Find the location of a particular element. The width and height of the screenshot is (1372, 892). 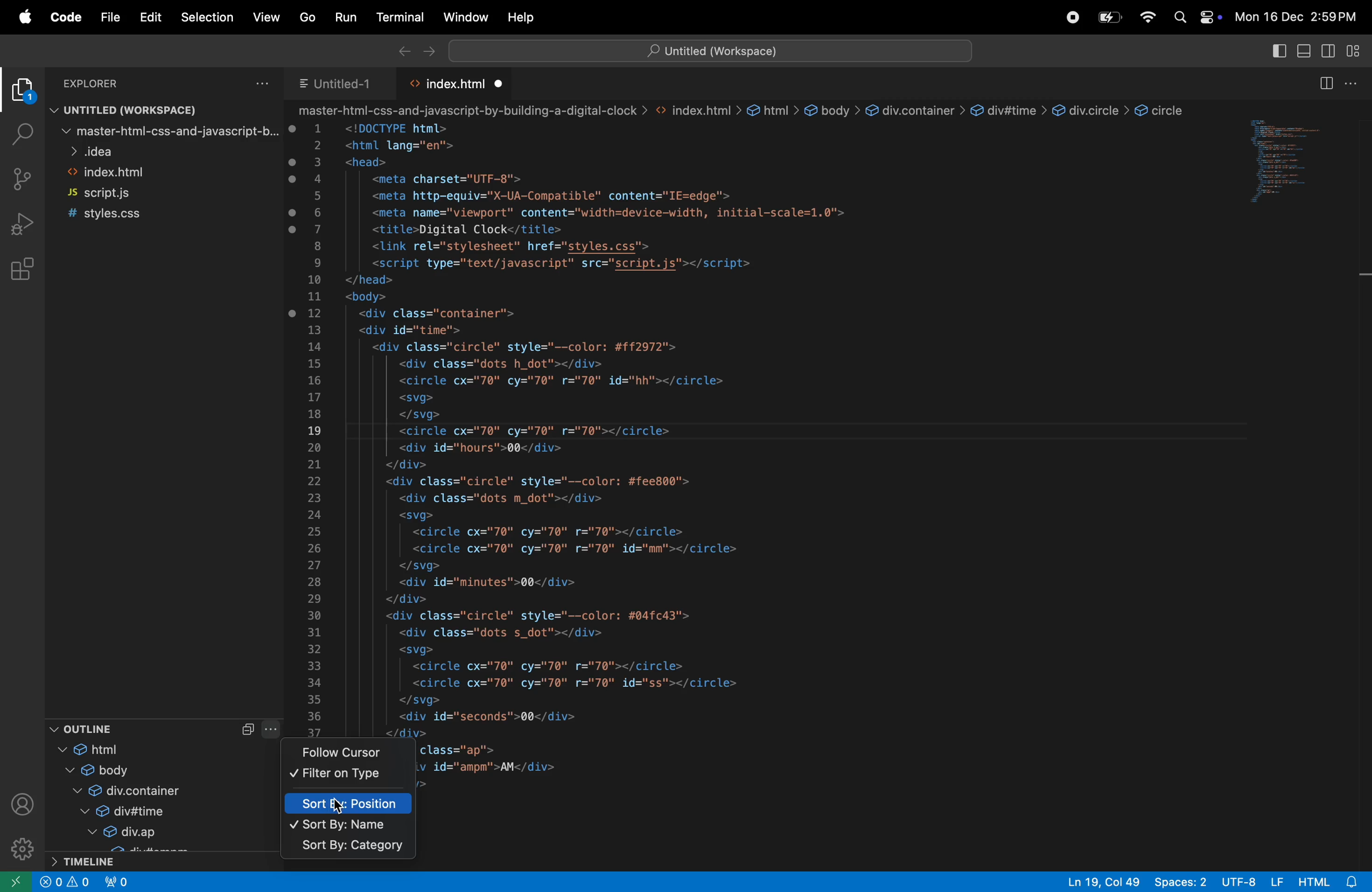

edit is located at coordinates (150, 17).